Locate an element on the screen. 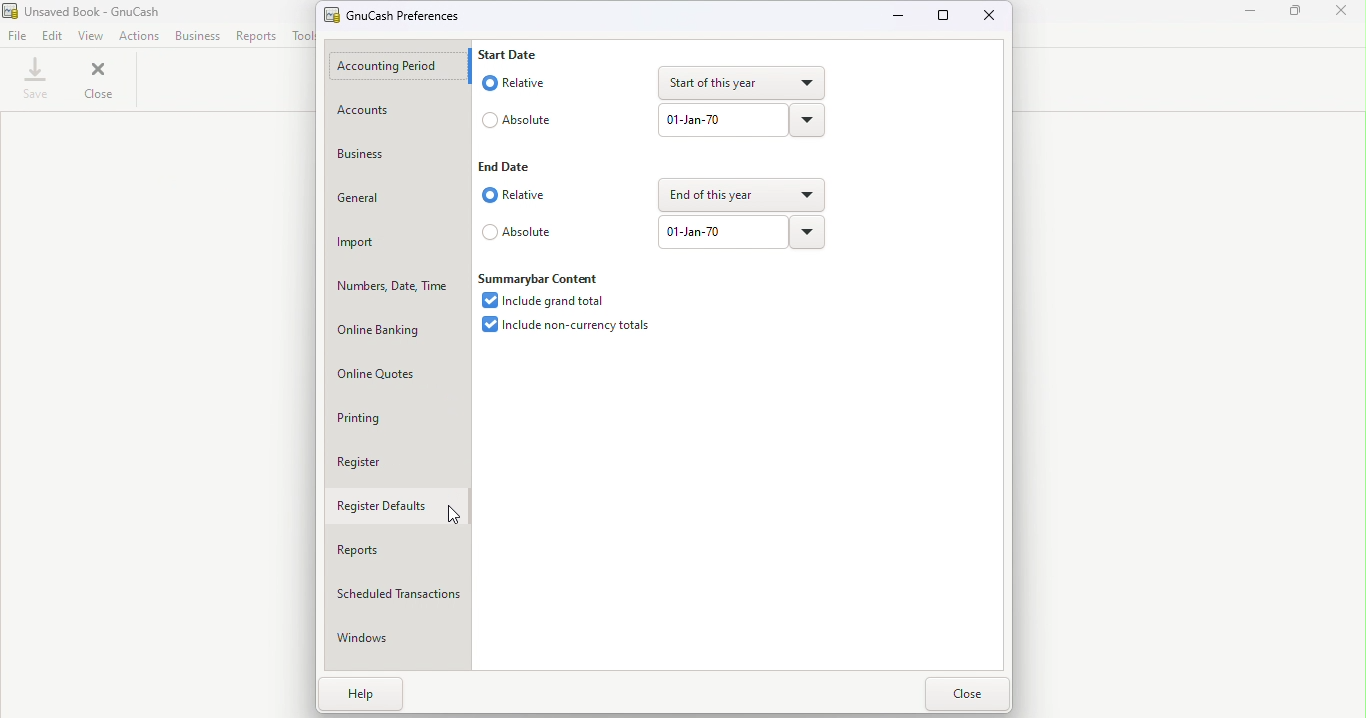  Maximize is located at coordinates (1295, 17).